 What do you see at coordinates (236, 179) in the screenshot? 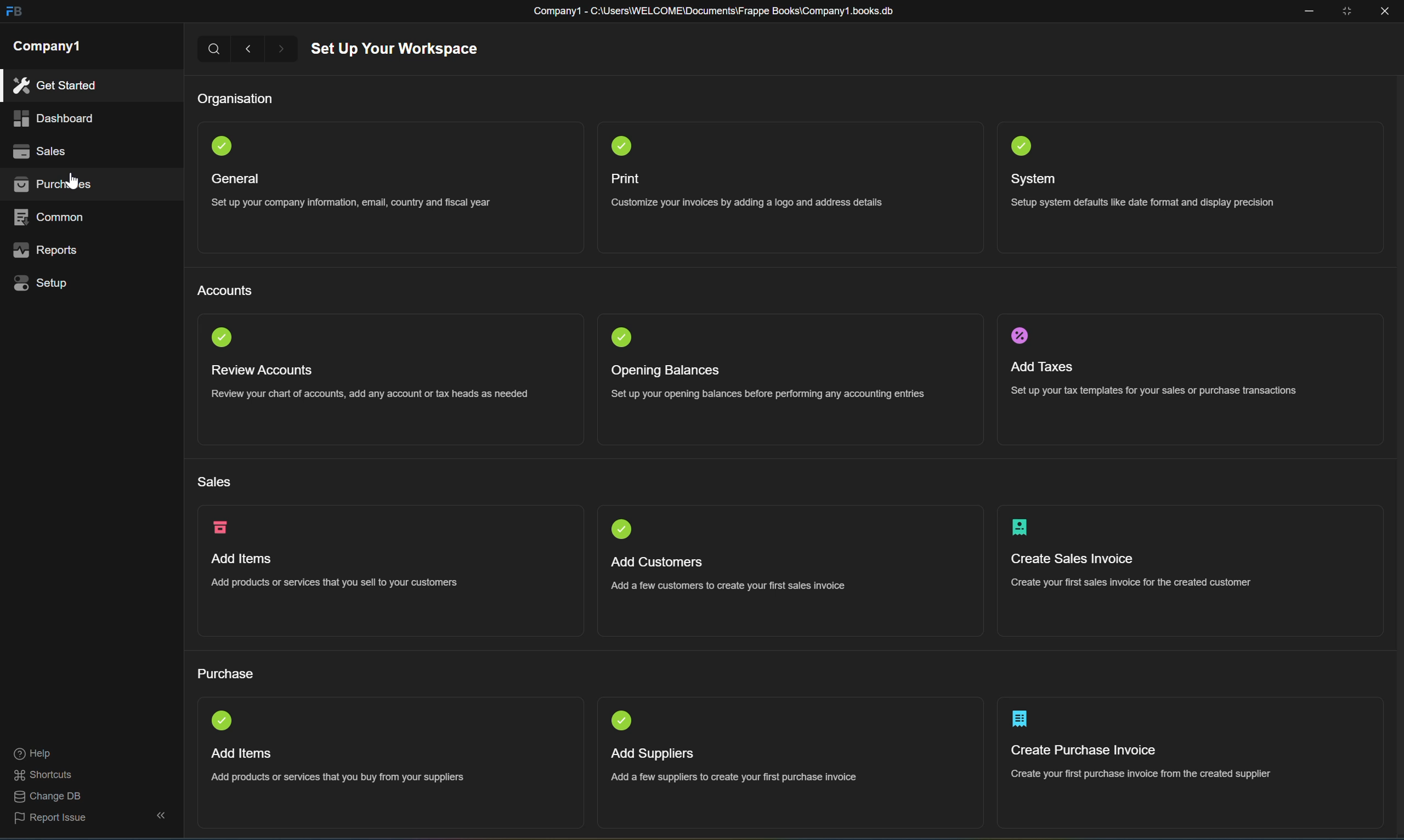
I see `general` at bounding box center [236, 179].